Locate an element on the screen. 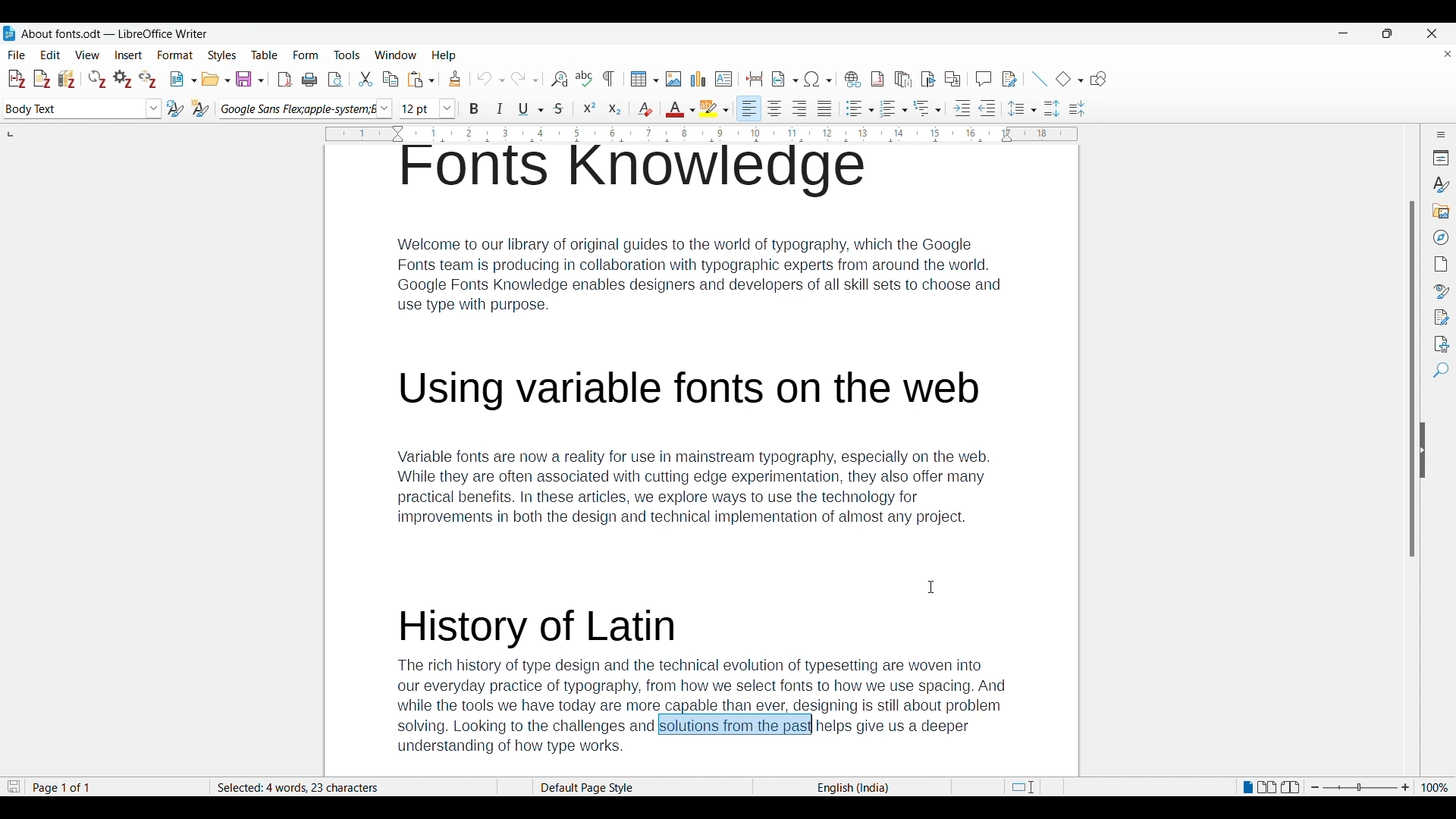  Zoom out is located at coordinates (1315, 787).